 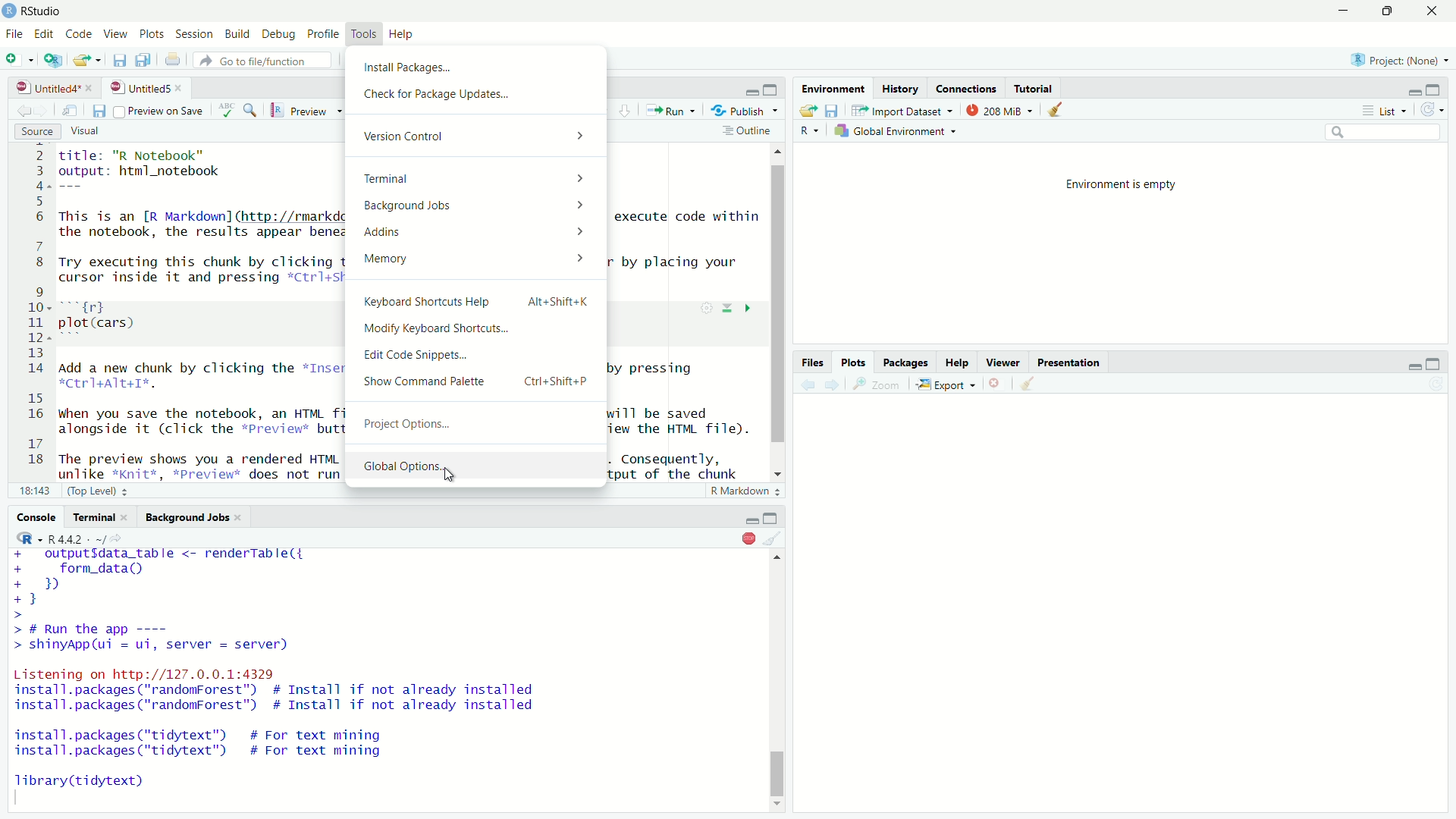 What do you see at coordinates (472, 232) in the screenshot?
I see `Addins` at bounding box center [472, 232].